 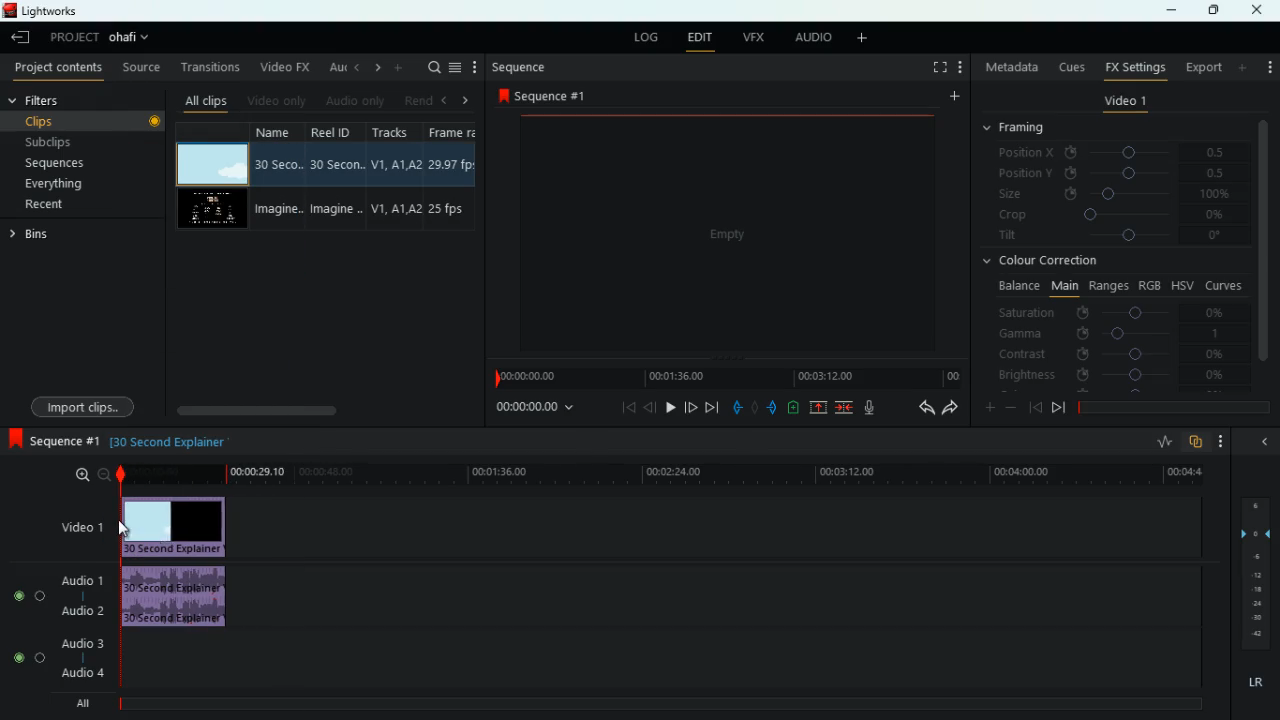 I want to click on forward, so click(x=951, y=409).